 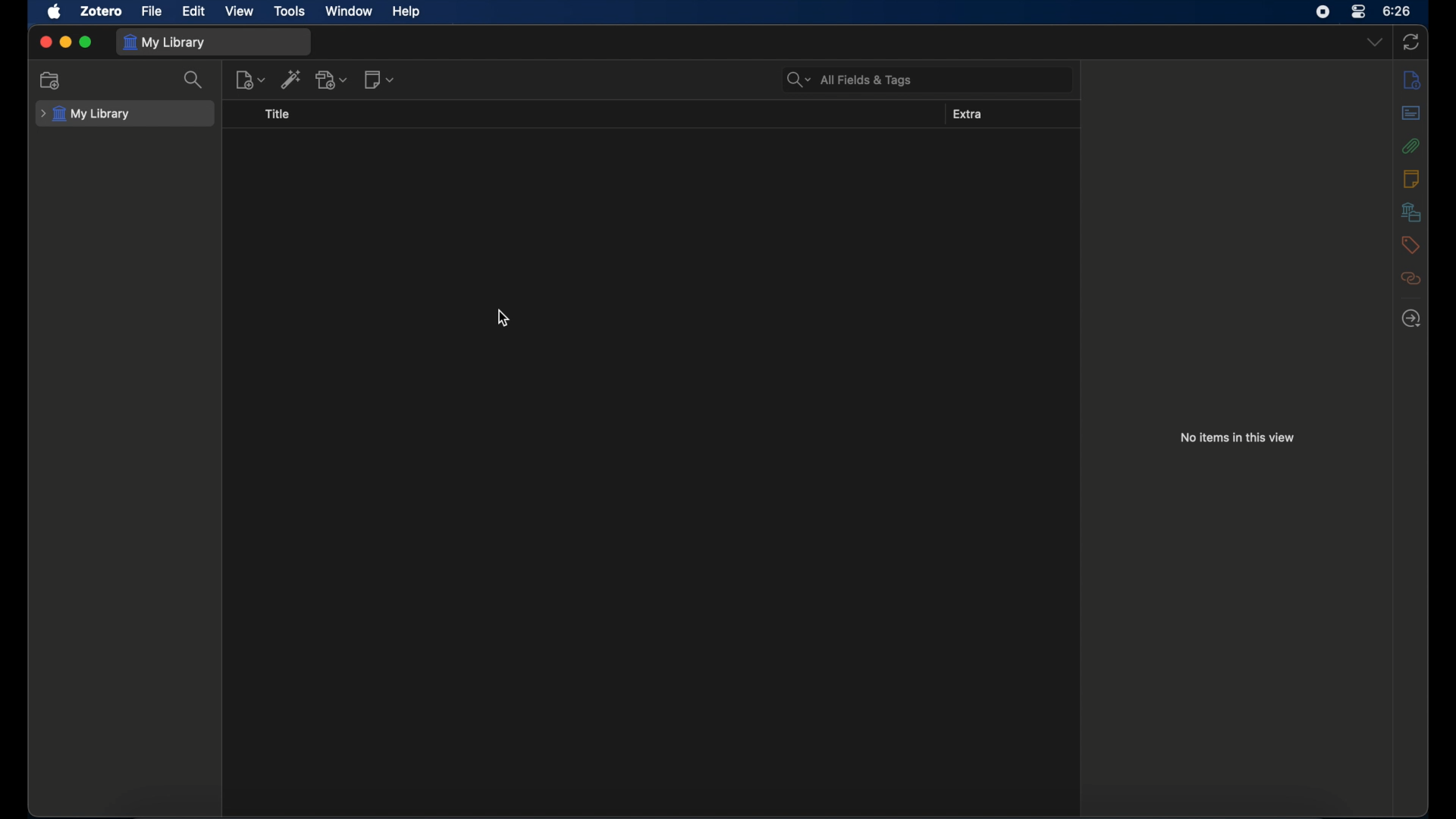 I want to click on sync, so click(x=1414, y=42).